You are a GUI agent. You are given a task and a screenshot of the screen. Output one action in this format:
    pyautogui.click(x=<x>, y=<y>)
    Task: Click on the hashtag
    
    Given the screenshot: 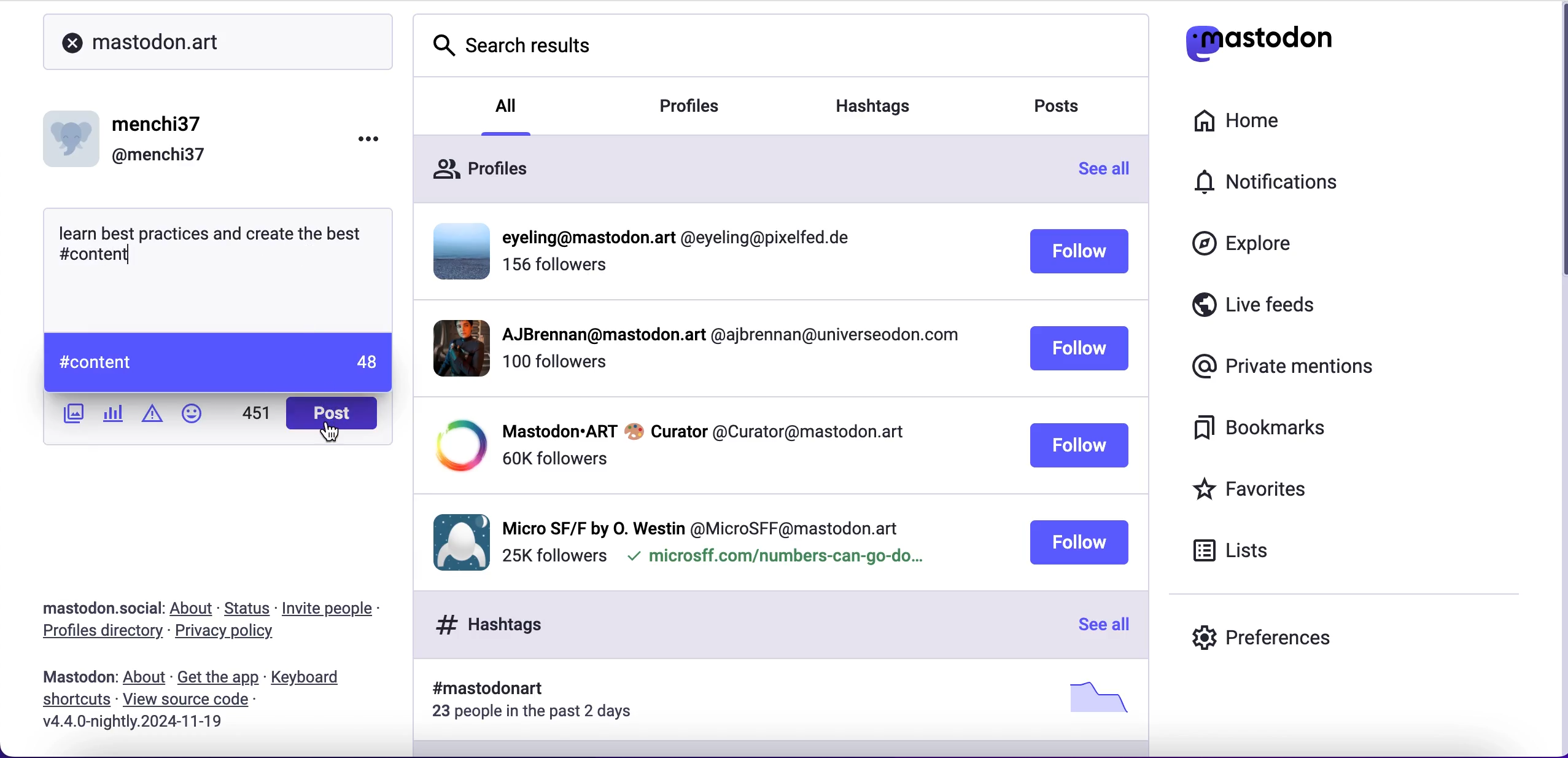 What is the action you would take?
    pyautogui.click(x=480, y=689)
    